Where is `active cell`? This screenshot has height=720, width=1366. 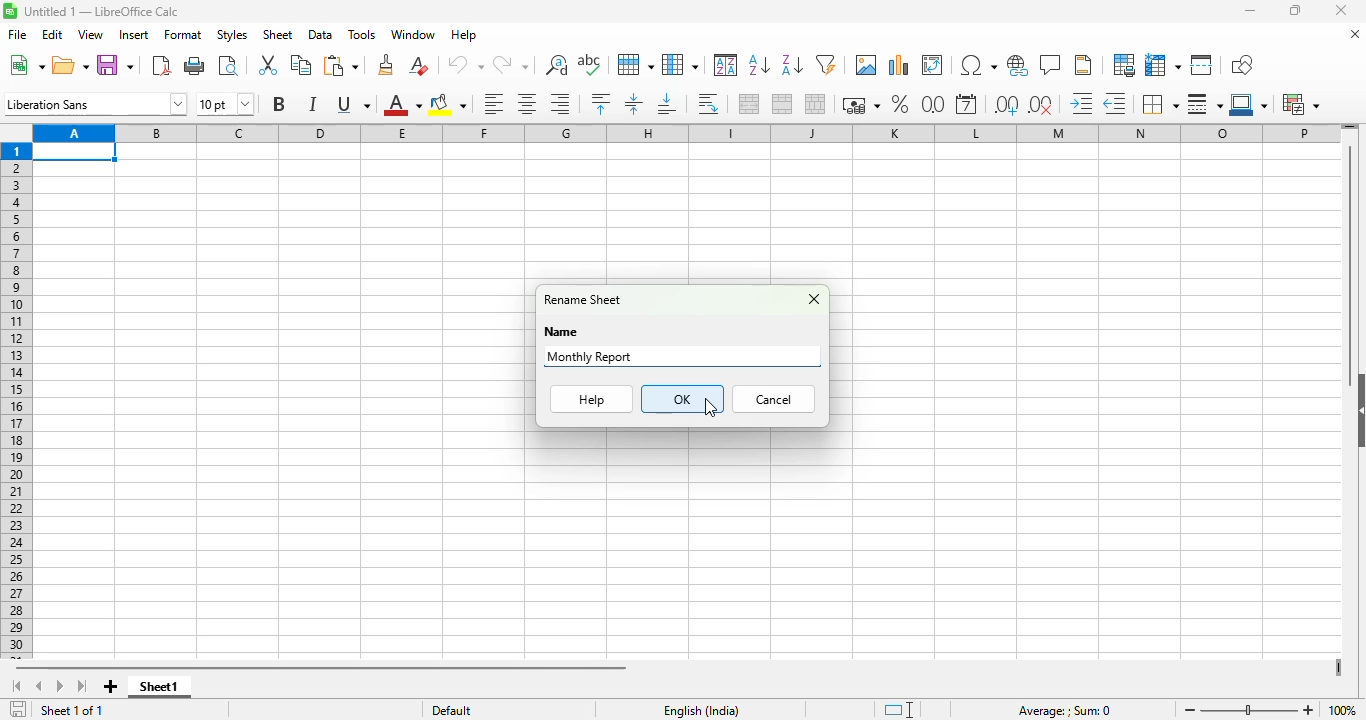
active cell is located at coordinates (75, 152).